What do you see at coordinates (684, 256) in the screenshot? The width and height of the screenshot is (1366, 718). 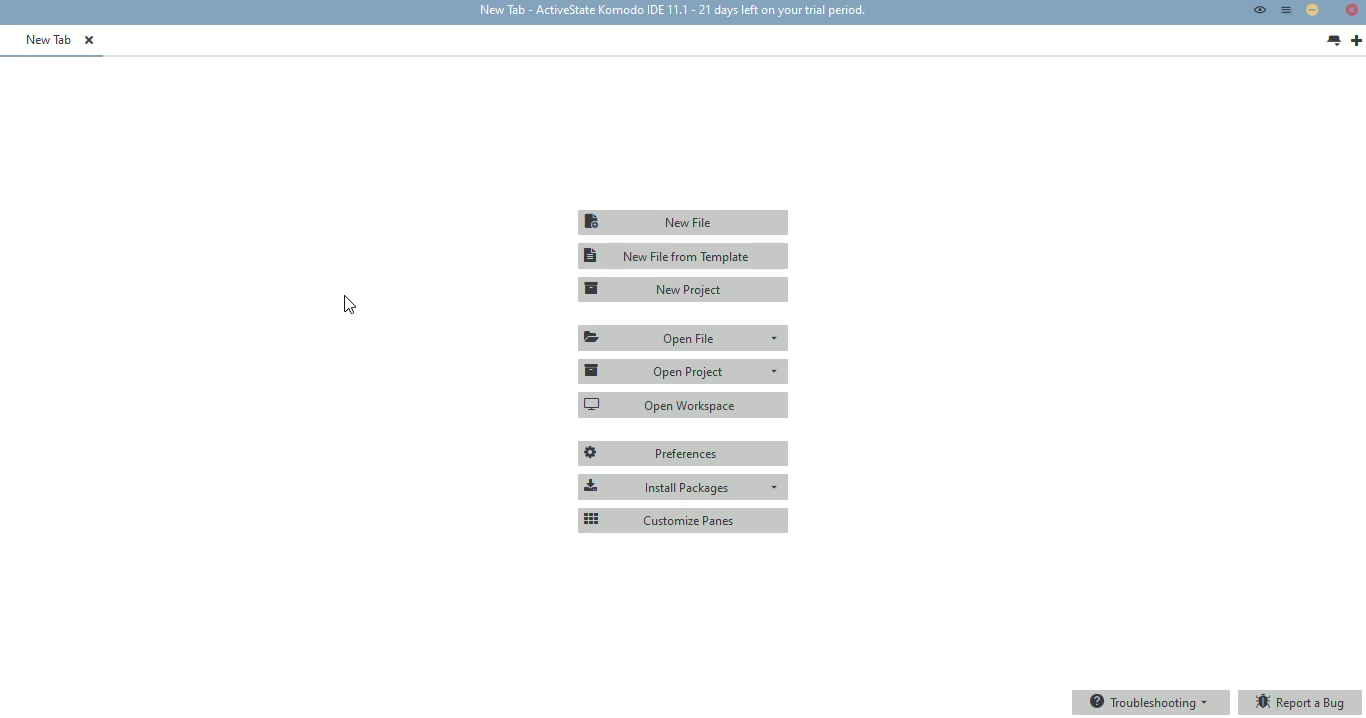 I see `new file from template` at bounding box center [684, 256].